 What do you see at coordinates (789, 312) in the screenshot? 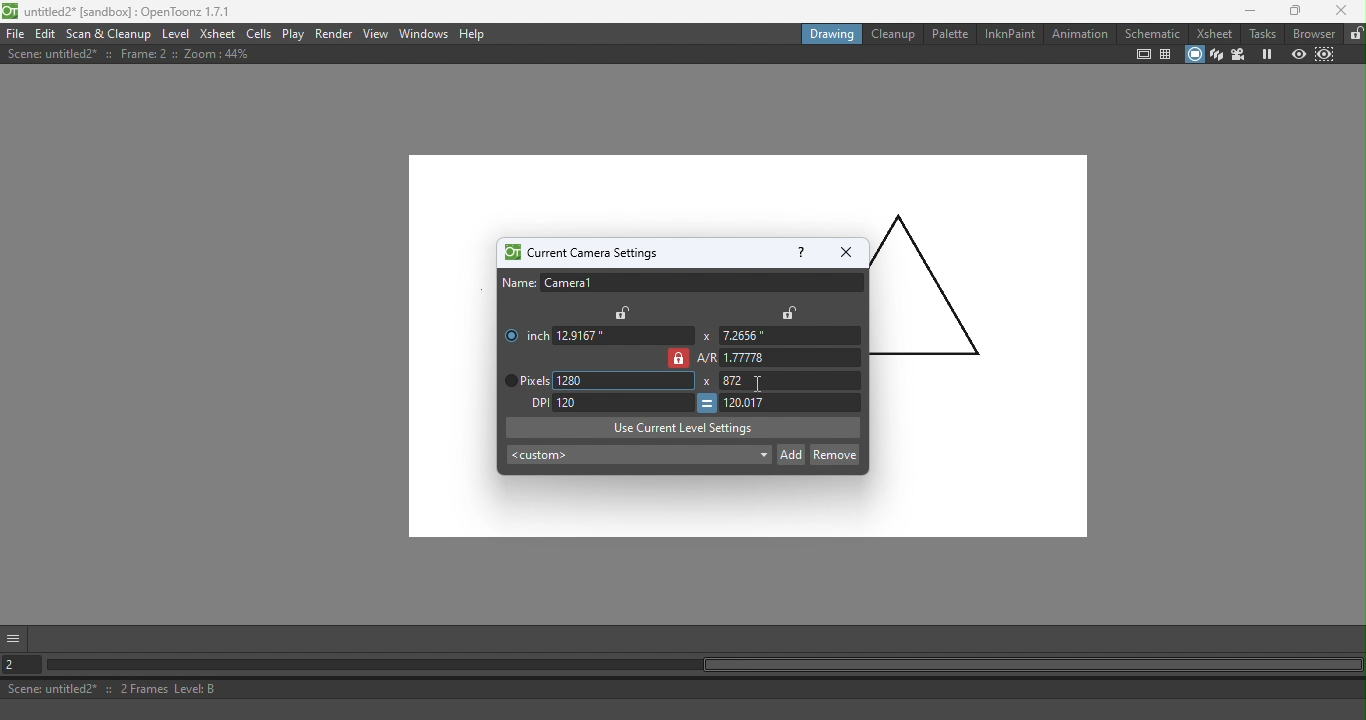
I see `Lock` at bounding box center [789, 312].